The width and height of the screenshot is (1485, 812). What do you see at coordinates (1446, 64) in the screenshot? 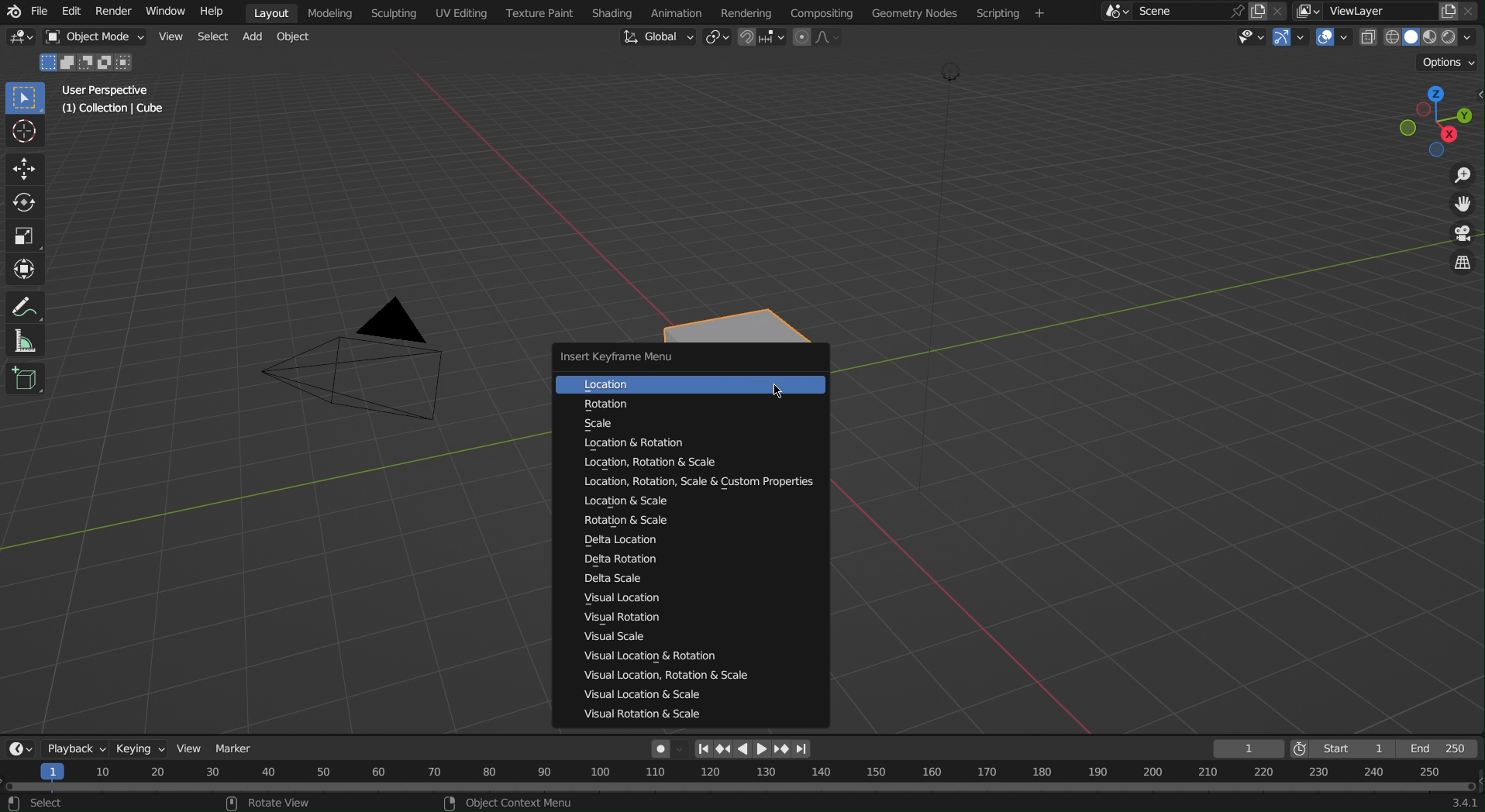
I see `Options` at bounding box center [1446, 64].